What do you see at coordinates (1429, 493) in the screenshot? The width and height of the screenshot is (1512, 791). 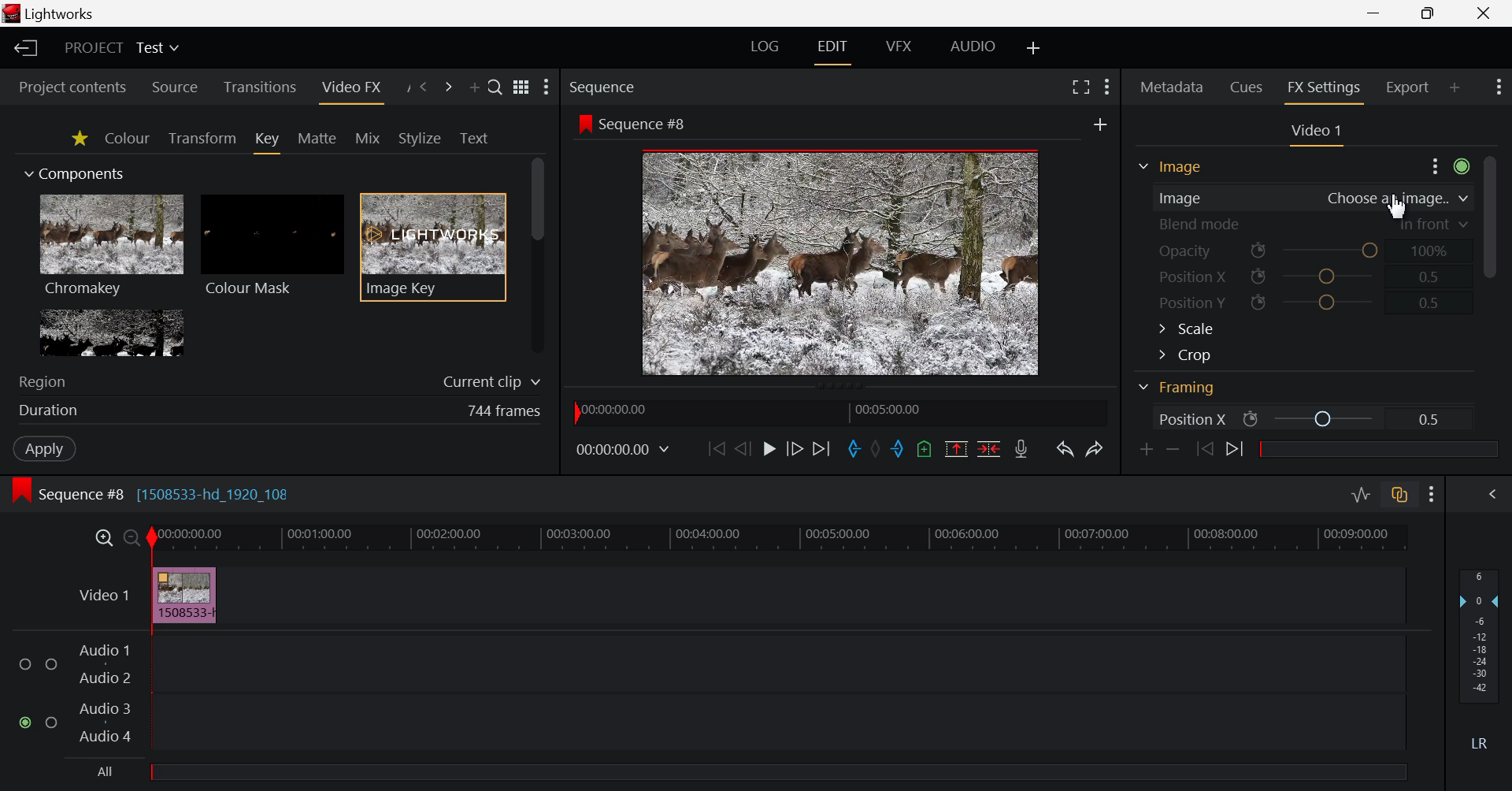 I see `Show Settings` at bounding box center [1429, 493].